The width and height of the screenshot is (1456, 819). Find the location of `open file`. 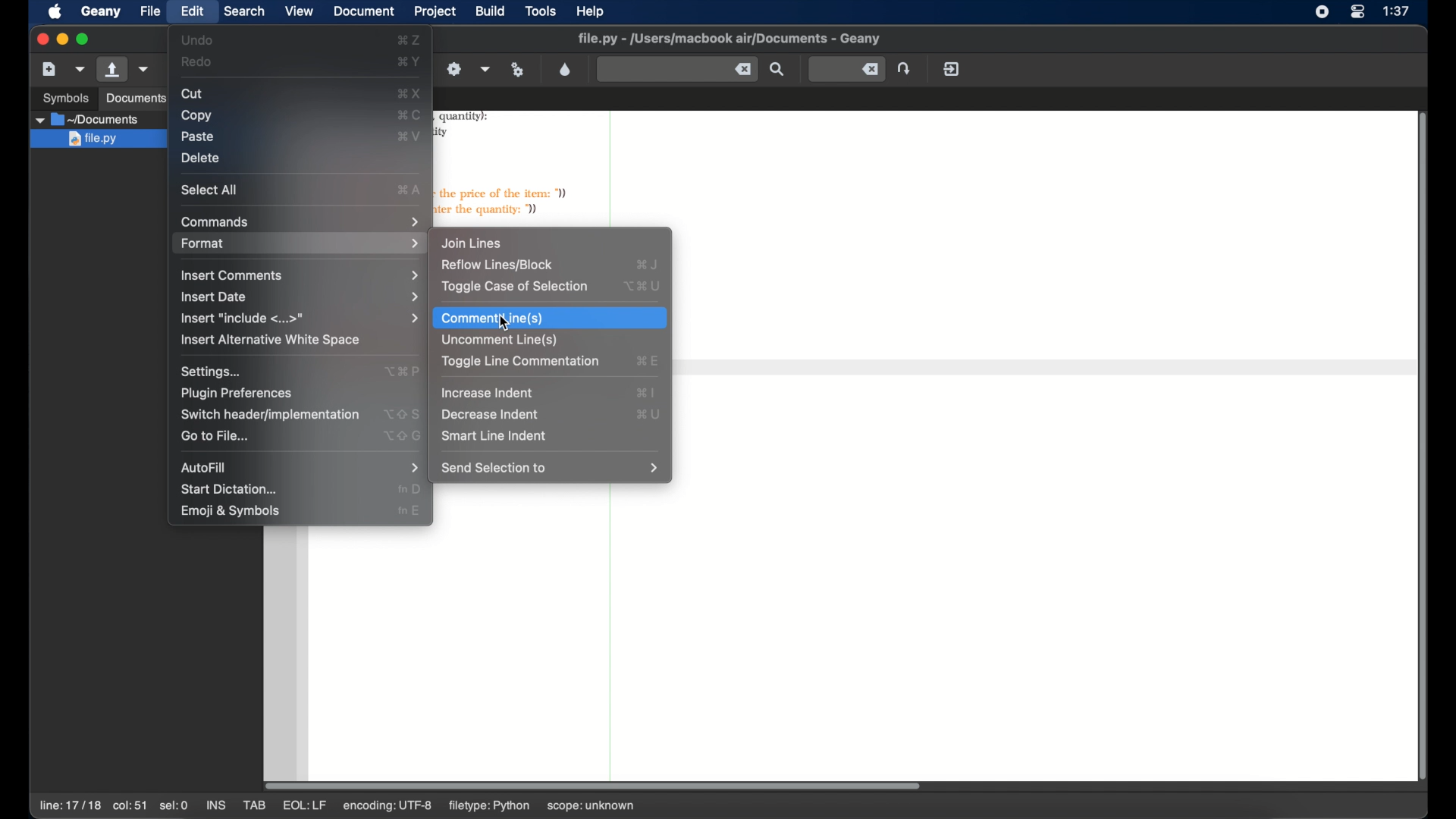

open file is located at coordinates (111, 70).